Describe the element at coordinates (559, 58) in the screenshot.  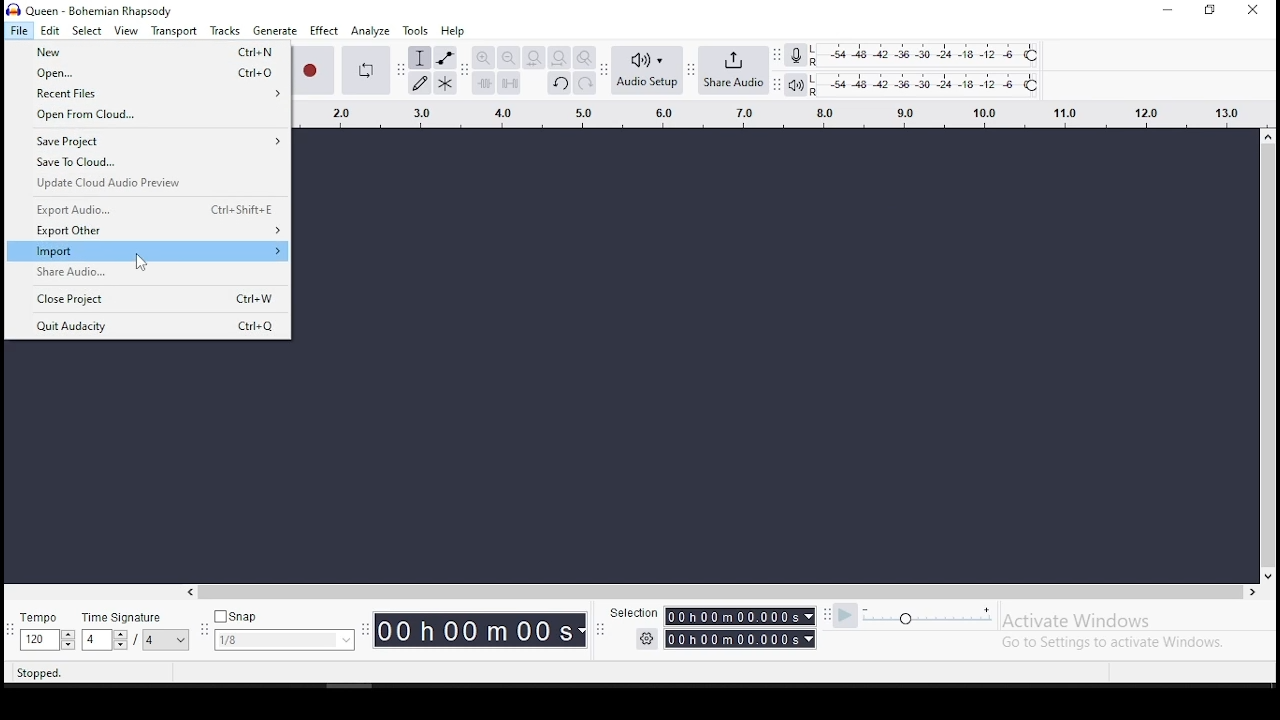
I see `fit to project to width` at that location.